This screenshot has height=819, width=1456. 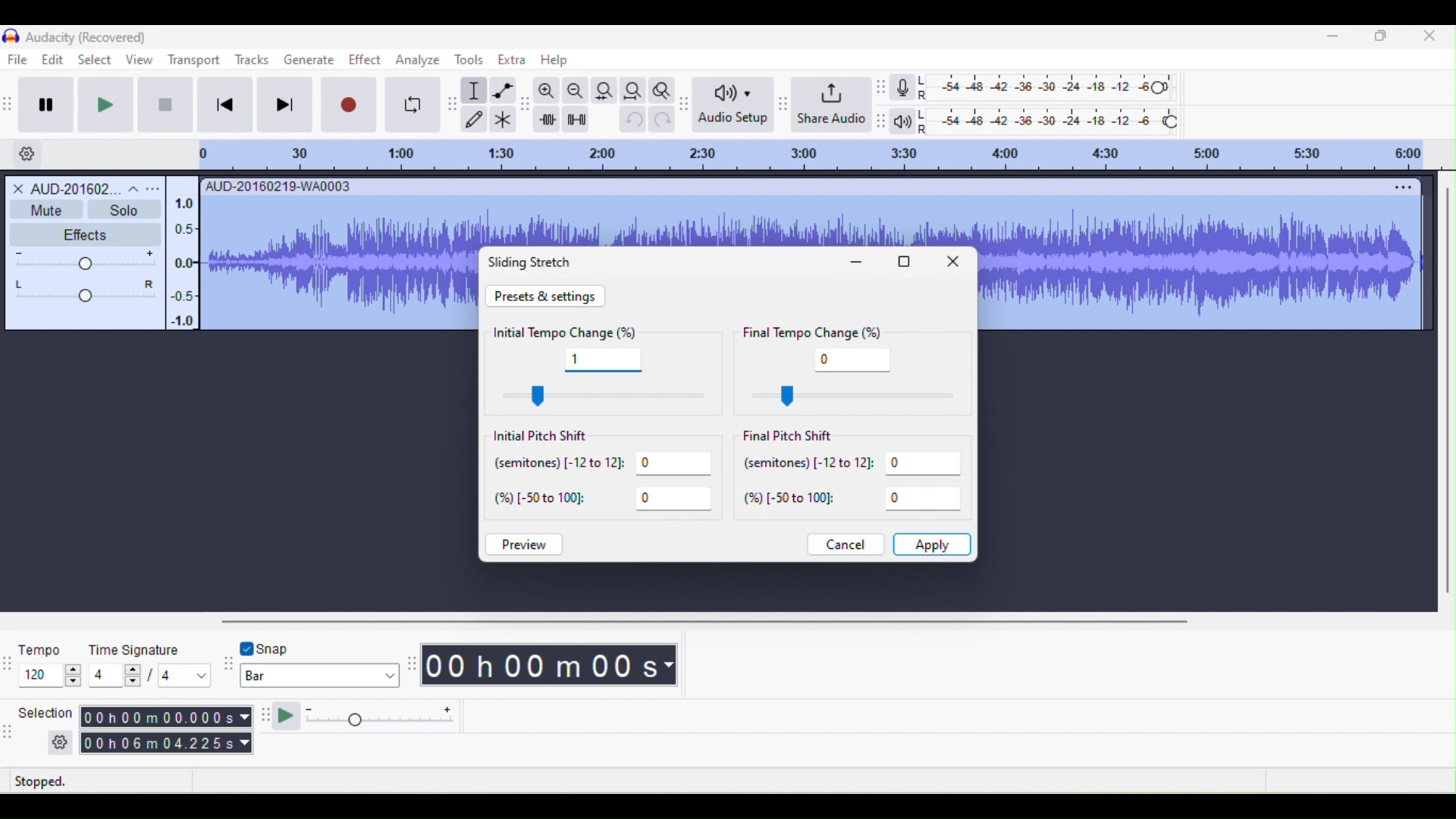 I want to click on undo, so click(x=630, y=123).